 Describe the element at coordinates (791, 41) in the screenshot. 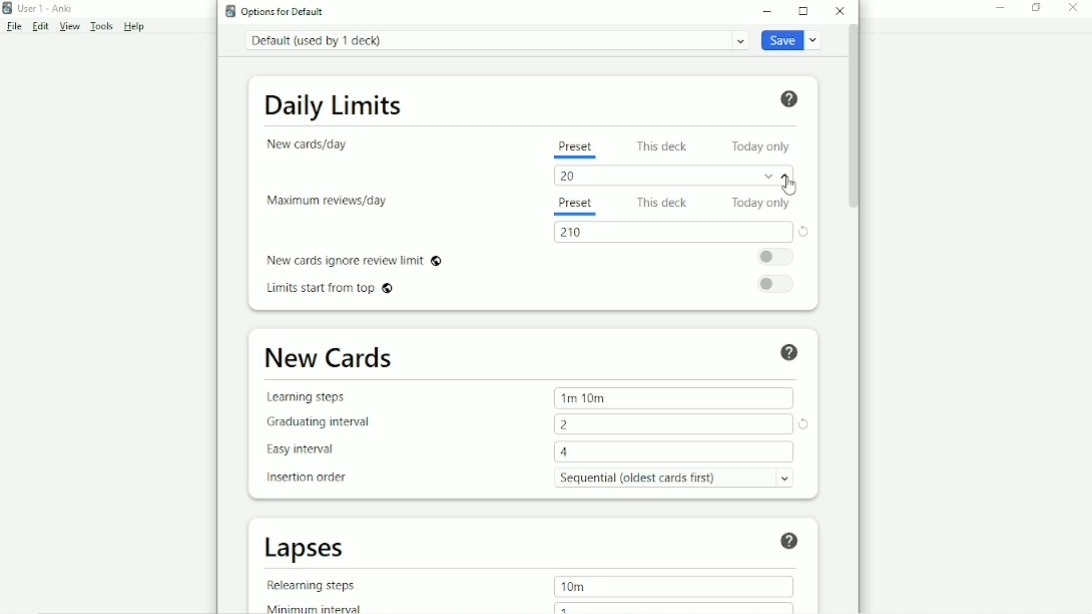

I see `Save` at that location.